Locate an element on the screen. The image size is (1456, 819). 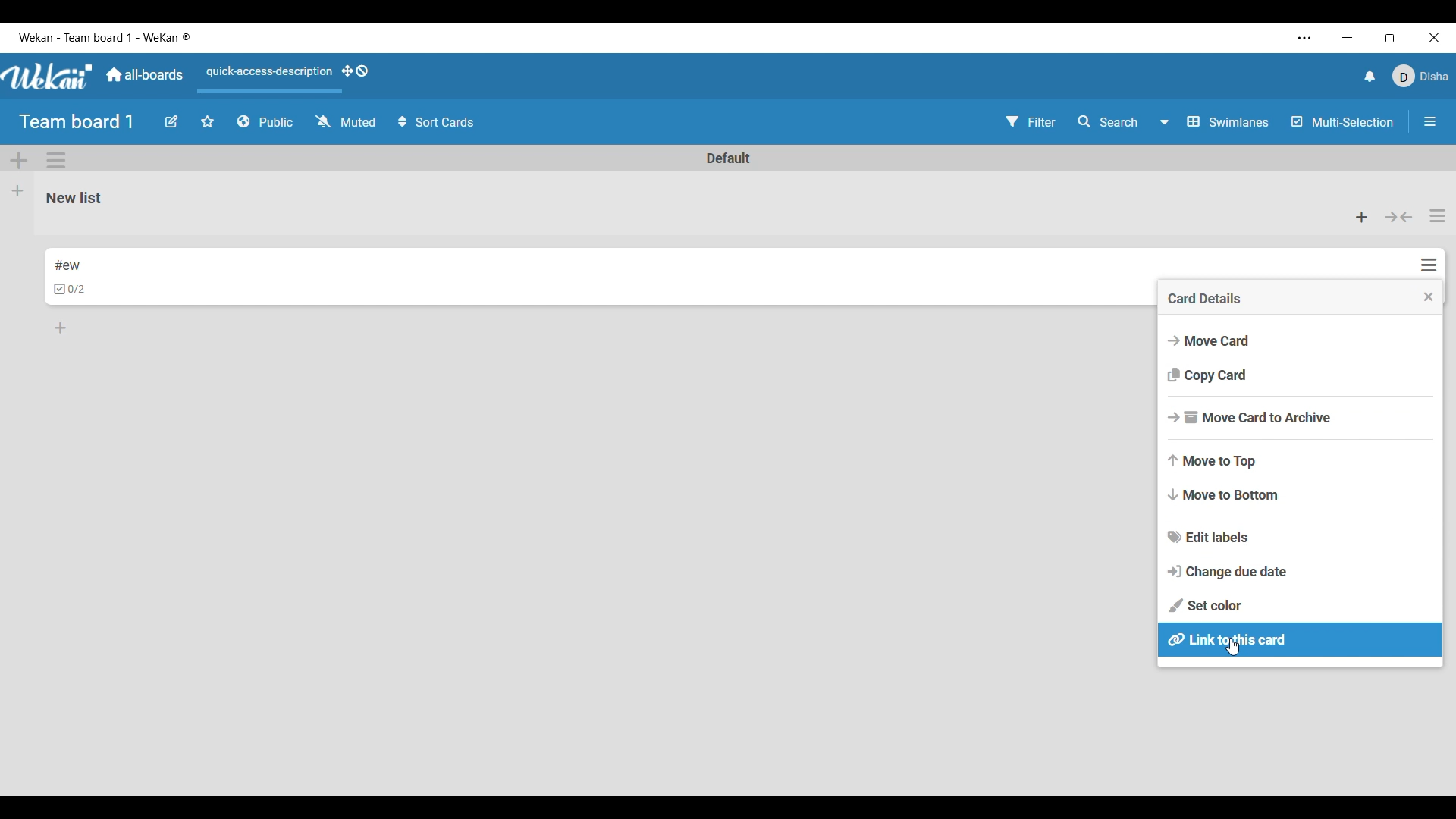
Card actions is located at coordinates (1429, 265).